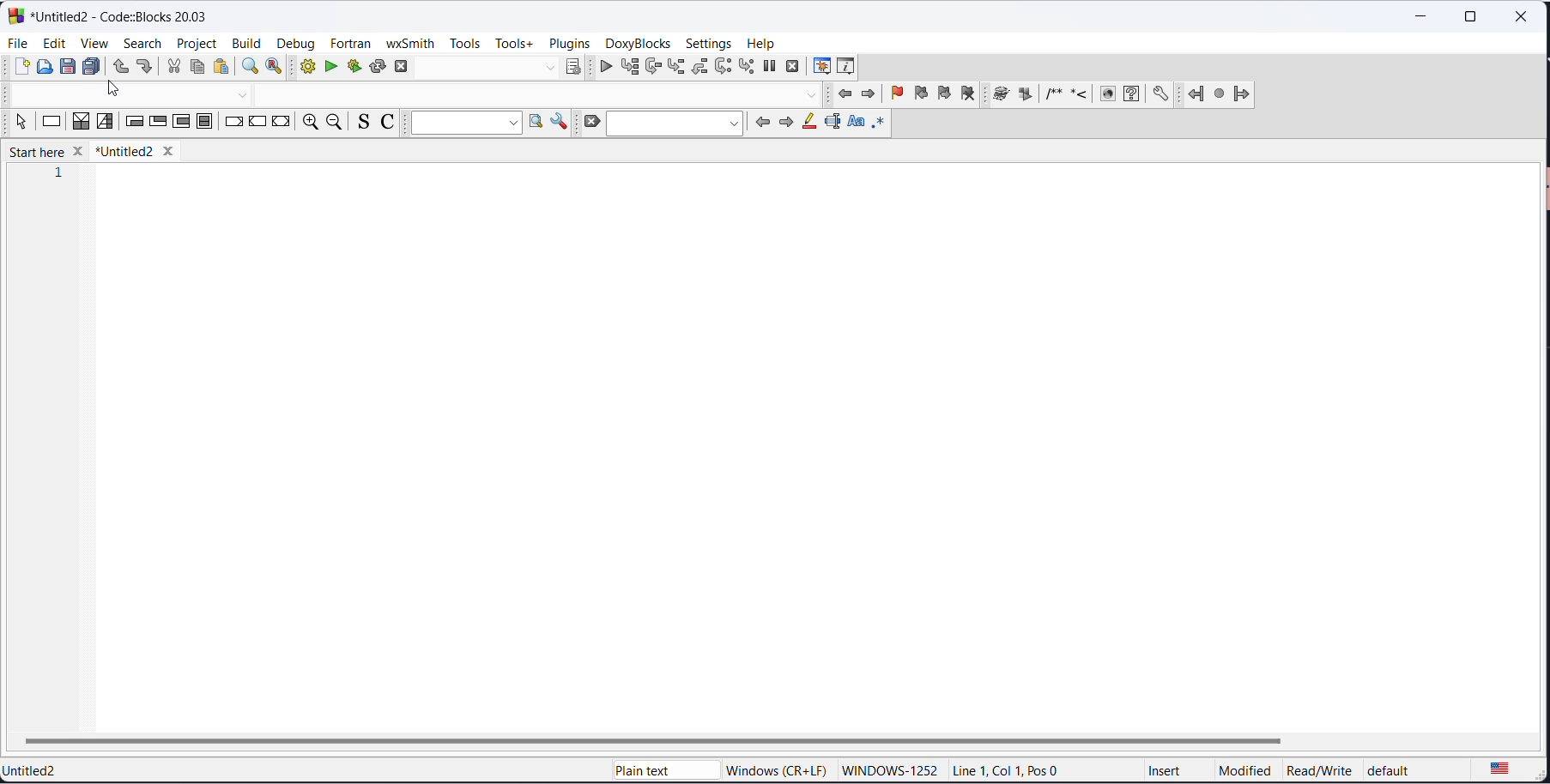  Describe the element at coordinates (197, 43) in the screenshot. I see `Project` at that location.